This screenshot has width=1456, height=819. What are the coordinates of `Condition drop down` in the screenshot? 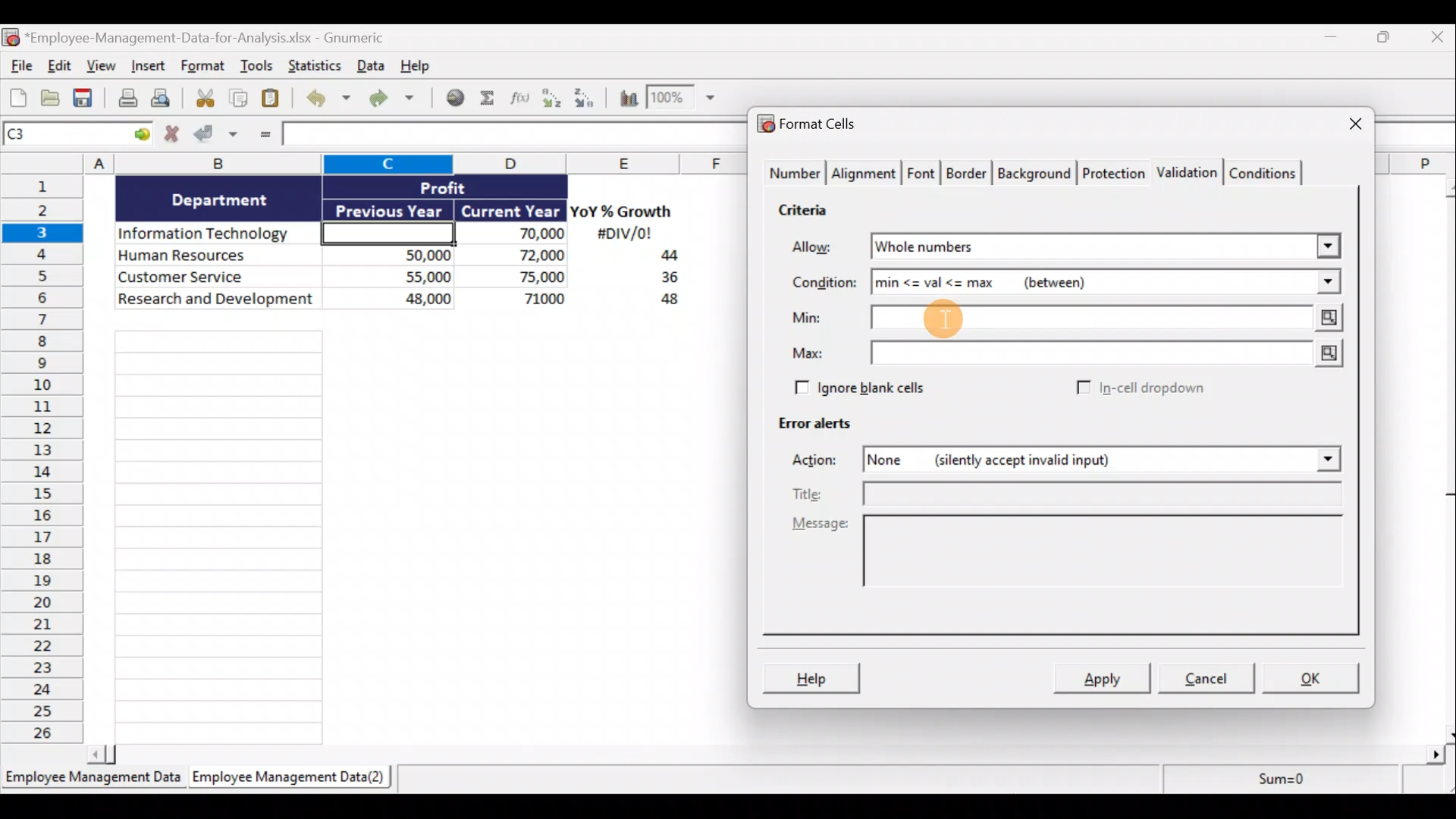 It's located at (1329, 283).